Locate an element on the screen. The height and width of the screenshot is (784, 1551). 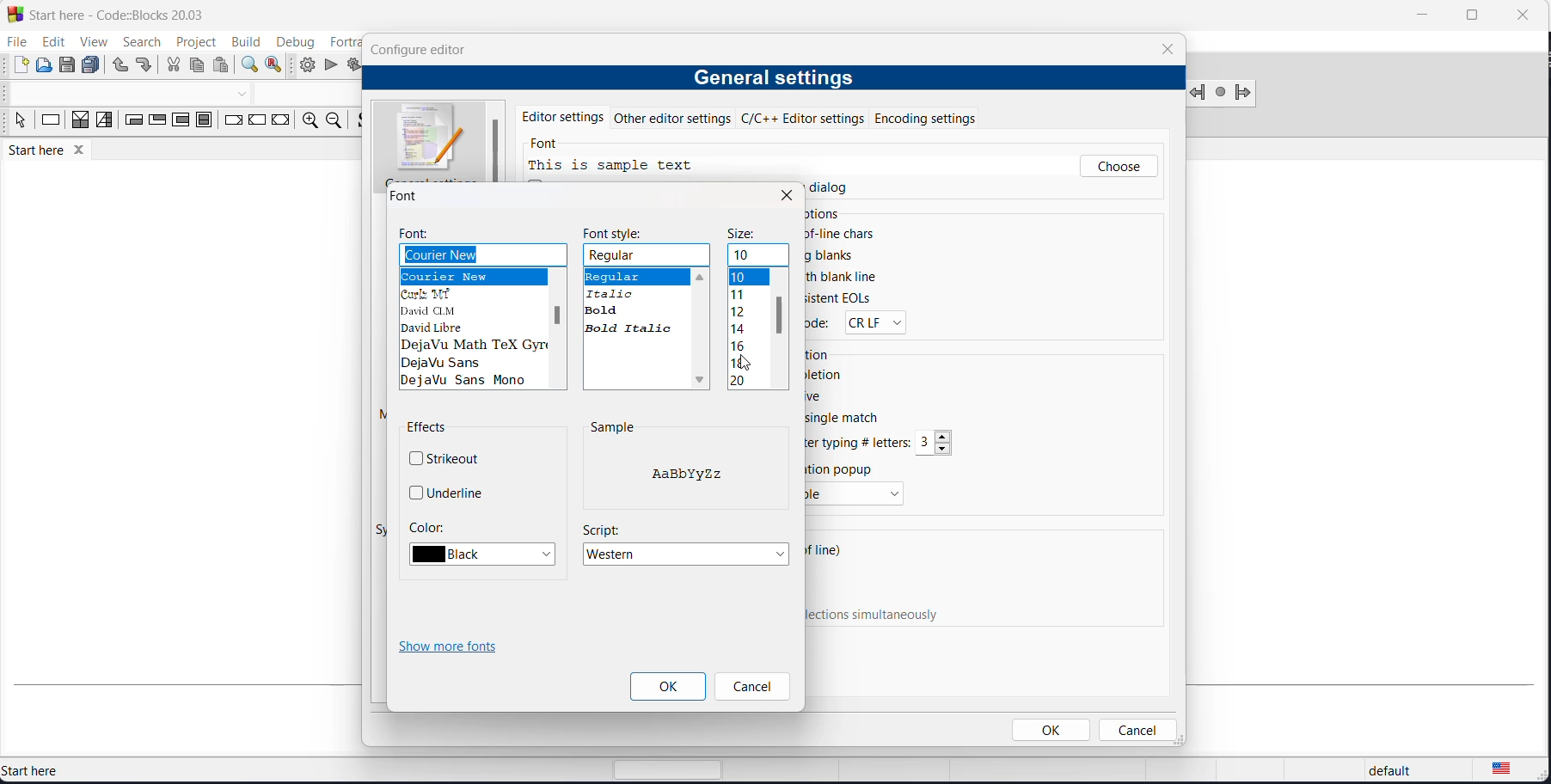
color is located at coordinates (426, 526).